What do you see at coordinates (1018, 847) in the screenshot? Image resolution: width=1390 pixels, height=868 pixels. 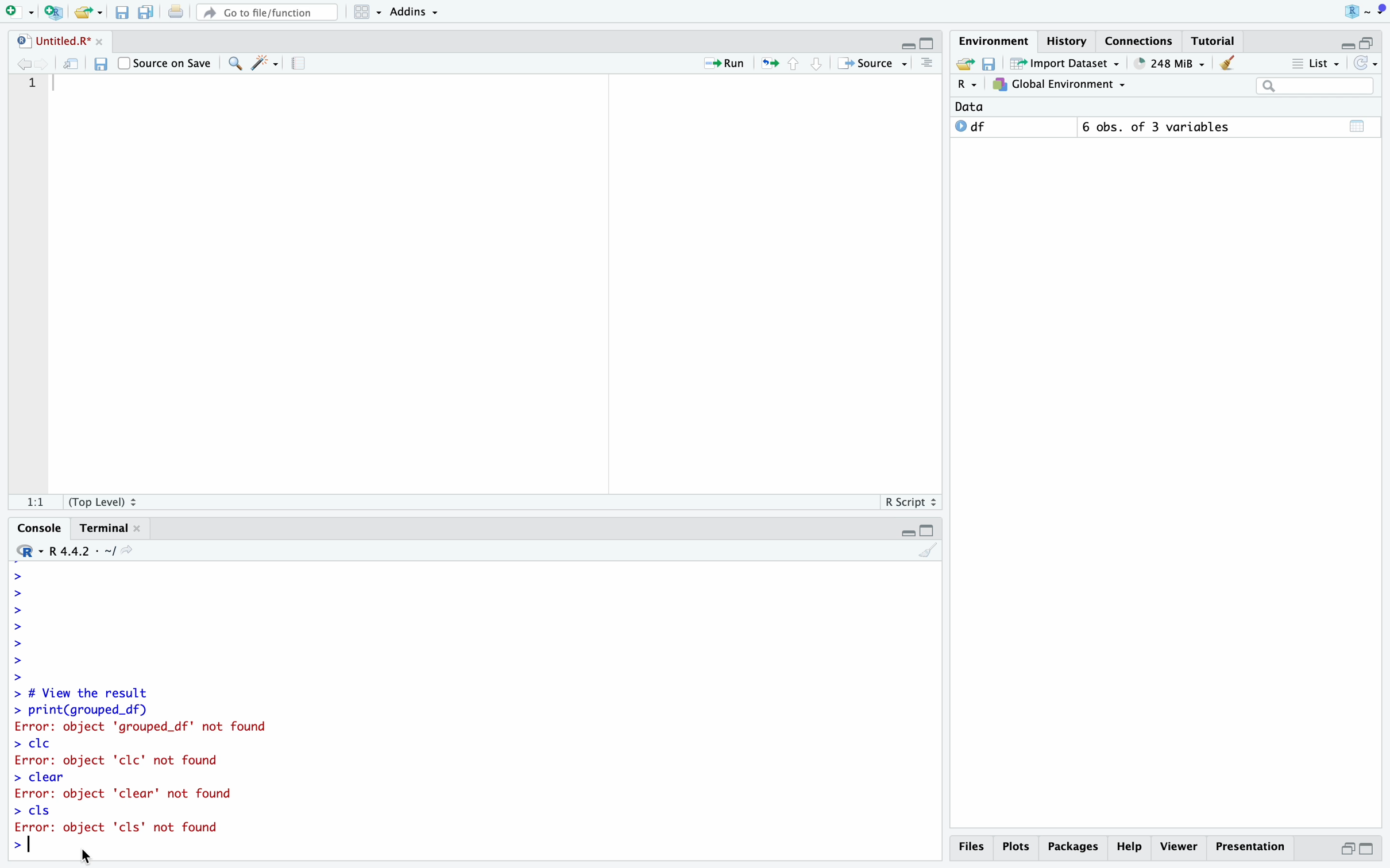 I see `Plots` at bounding box center [1018, 847].